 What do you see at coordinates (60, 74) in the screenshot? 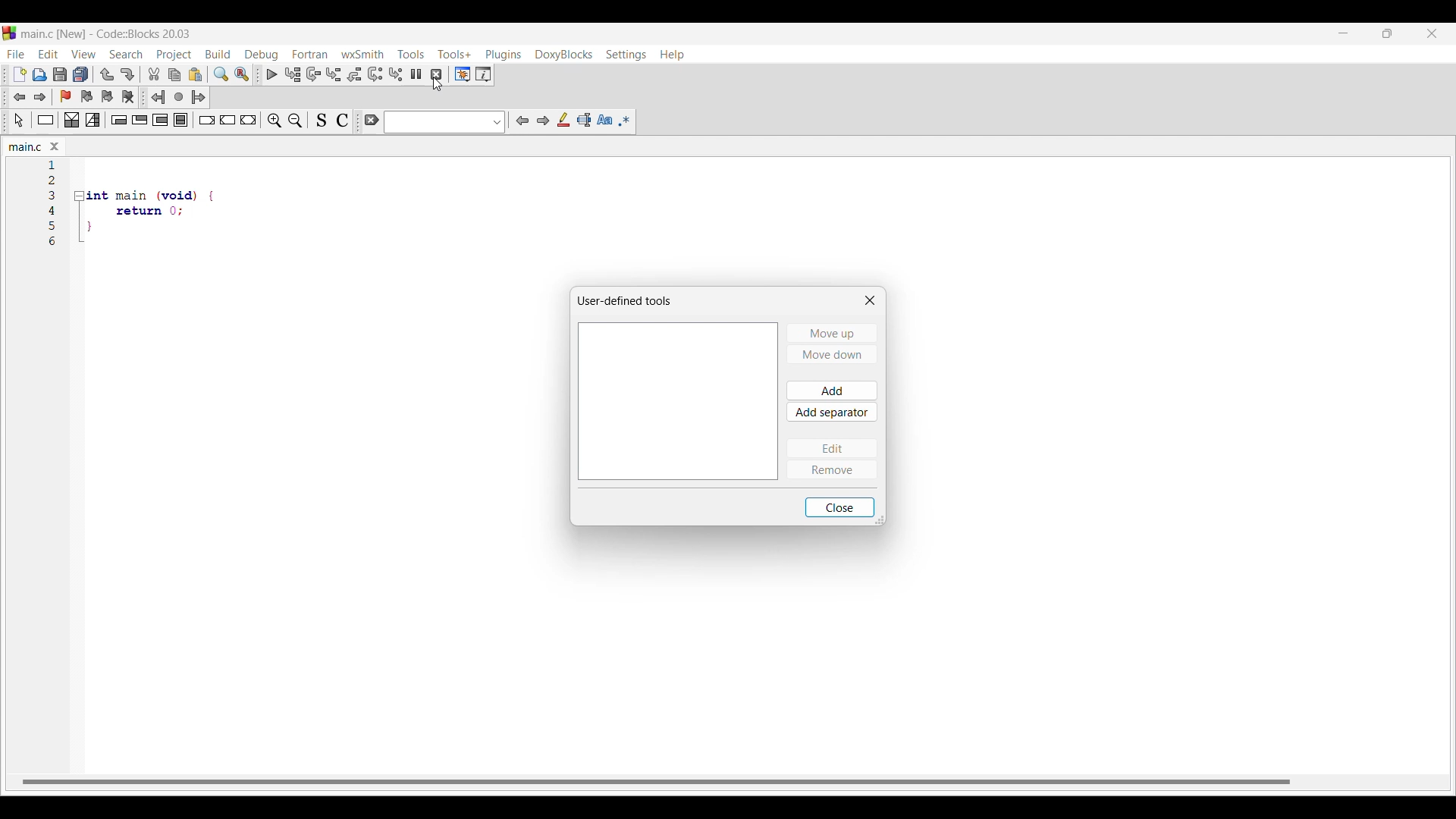
I see `Save` at bounding box center [60, 74].